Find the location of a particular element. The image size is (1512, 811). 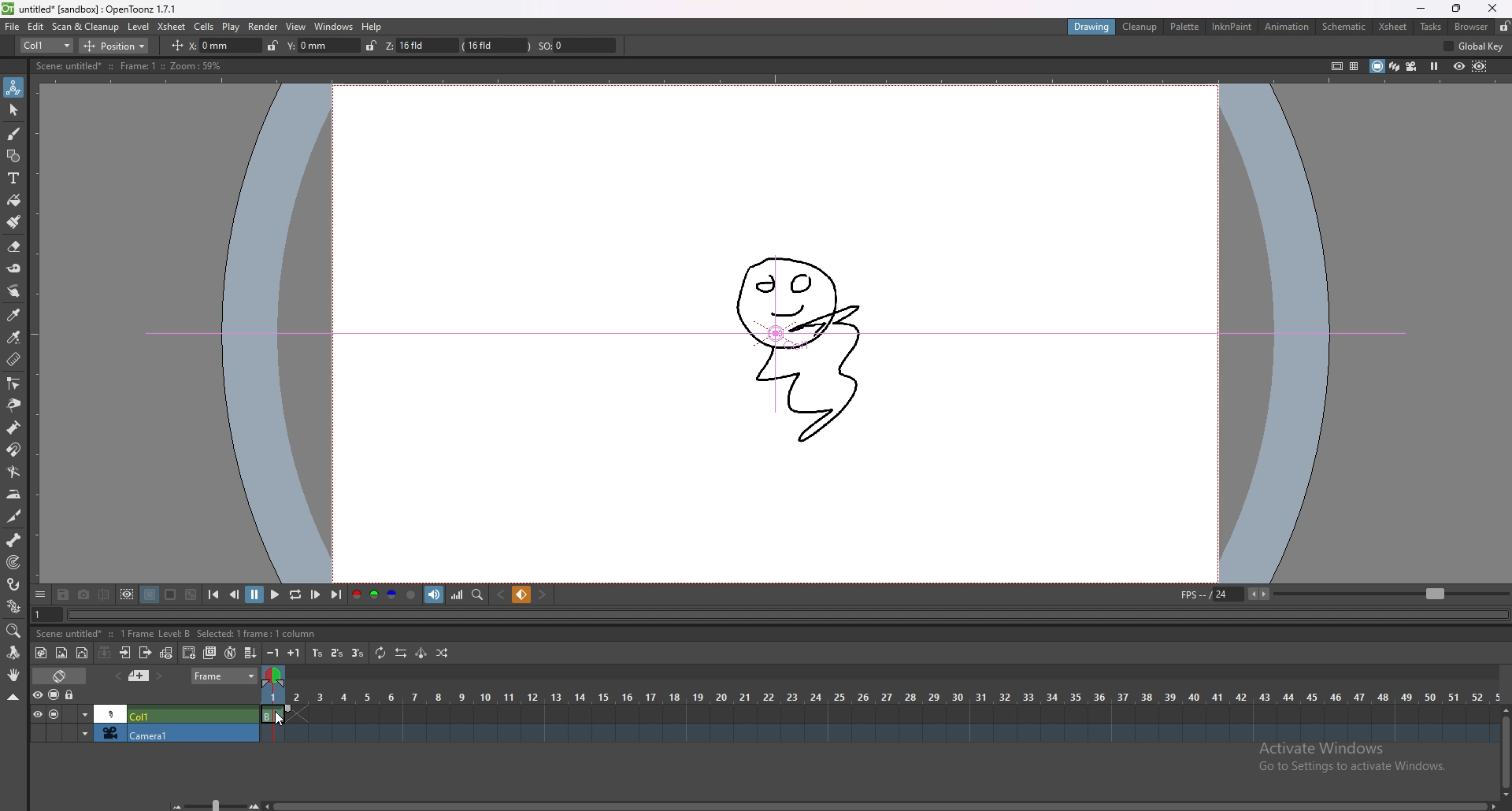

fill is located at coordinates (14, 201).